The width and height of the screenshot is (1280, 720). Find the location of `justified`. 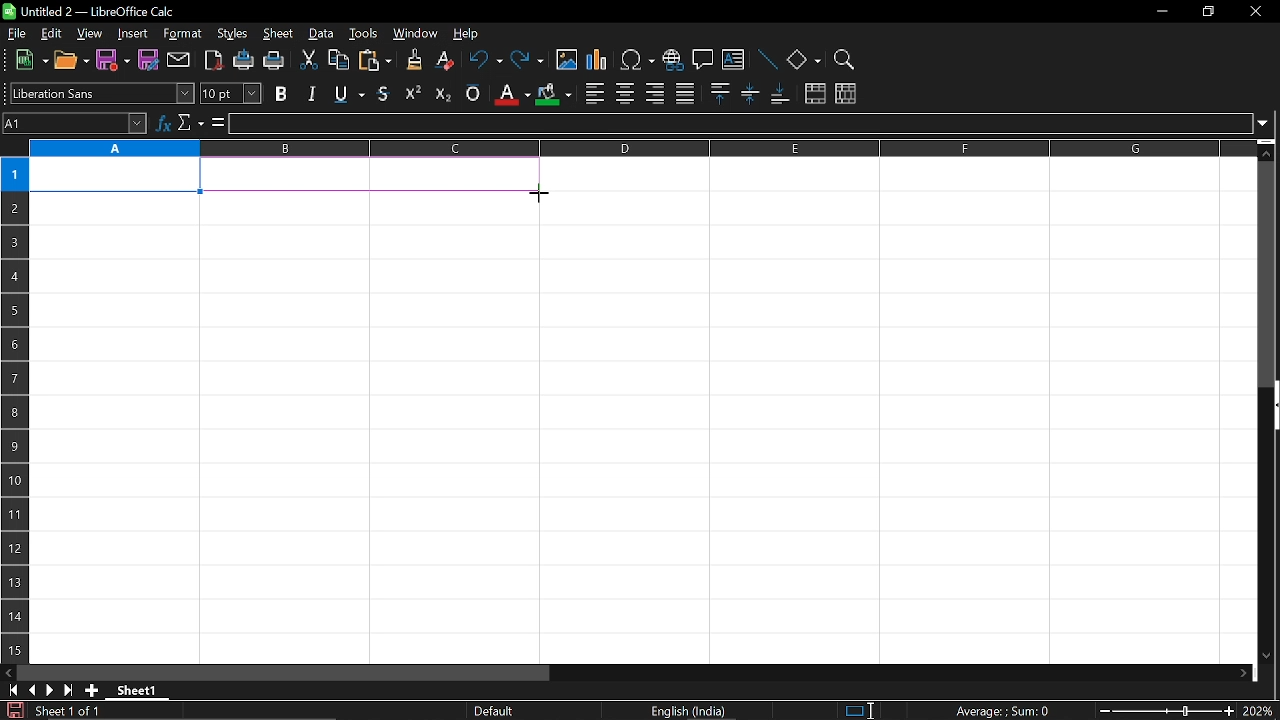

justified is located at coordinates (685, 92).